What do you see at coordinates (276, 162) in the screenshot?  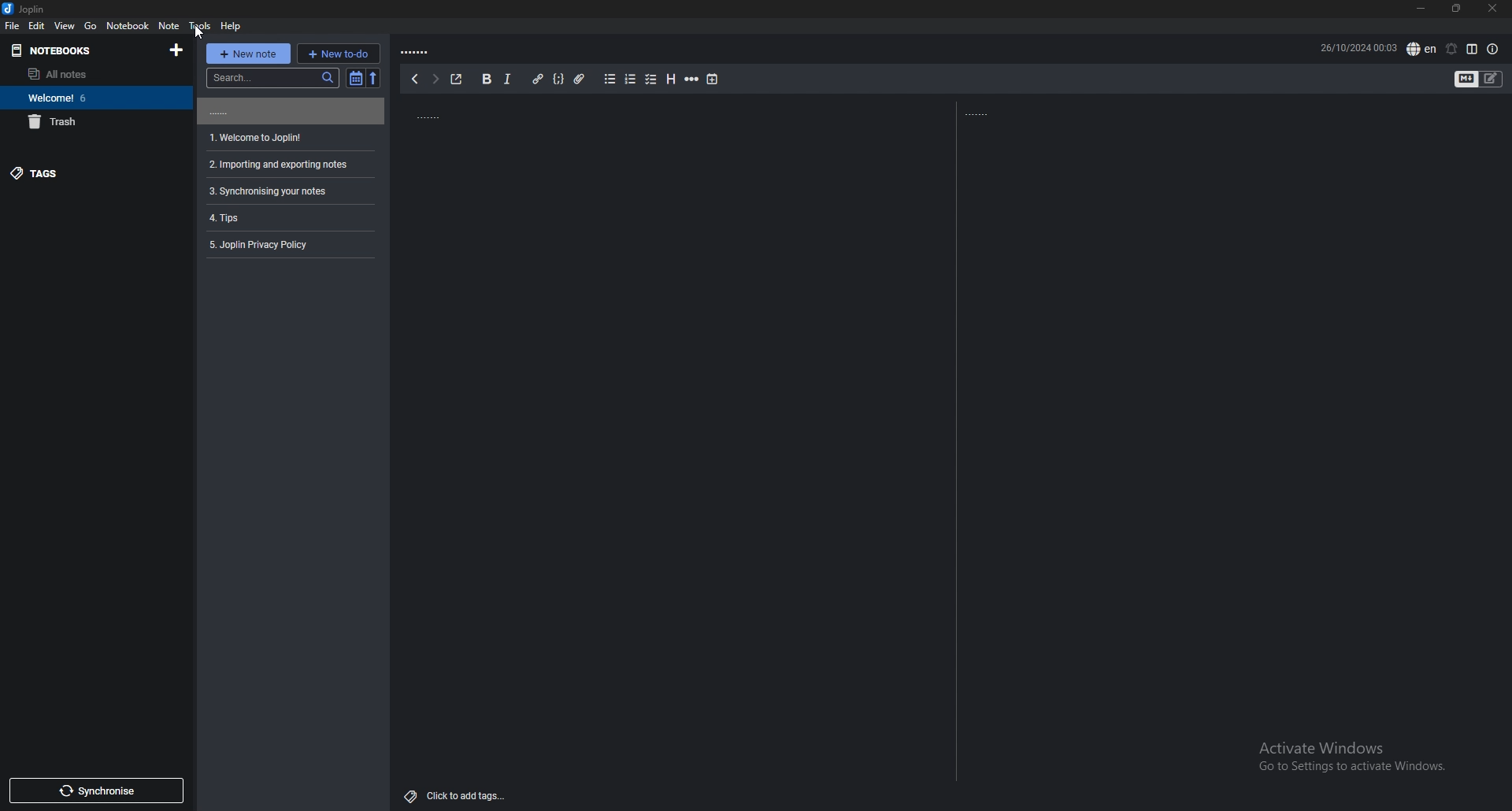 I see `2. Importing and exporting notes.` at bounding box center [276, 162].